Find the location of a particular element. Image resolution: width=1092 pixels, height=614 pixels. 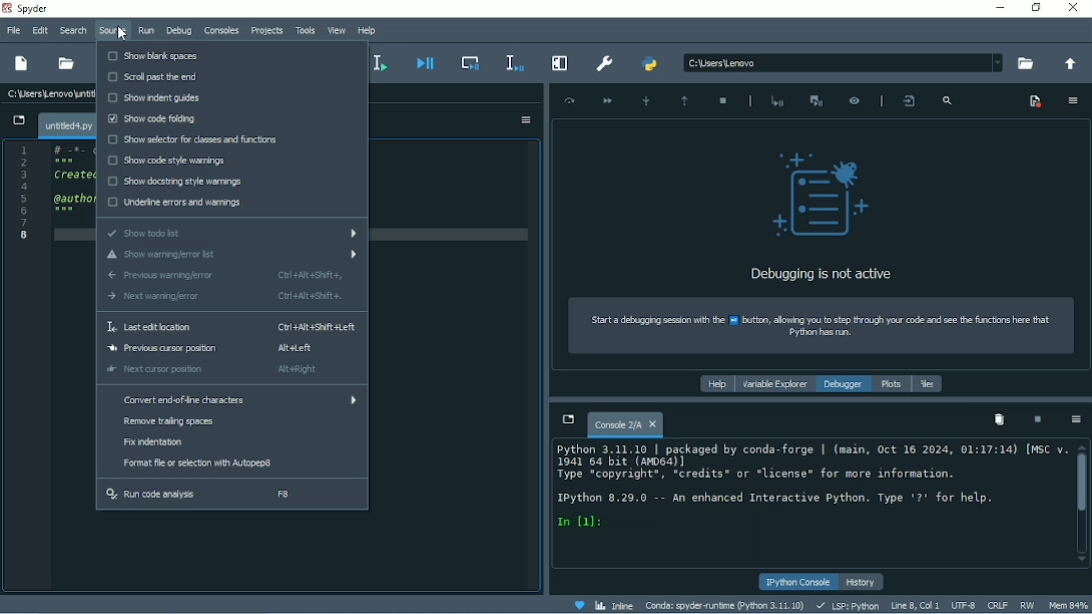

Next cursor position is located at coordinates (228, 369).